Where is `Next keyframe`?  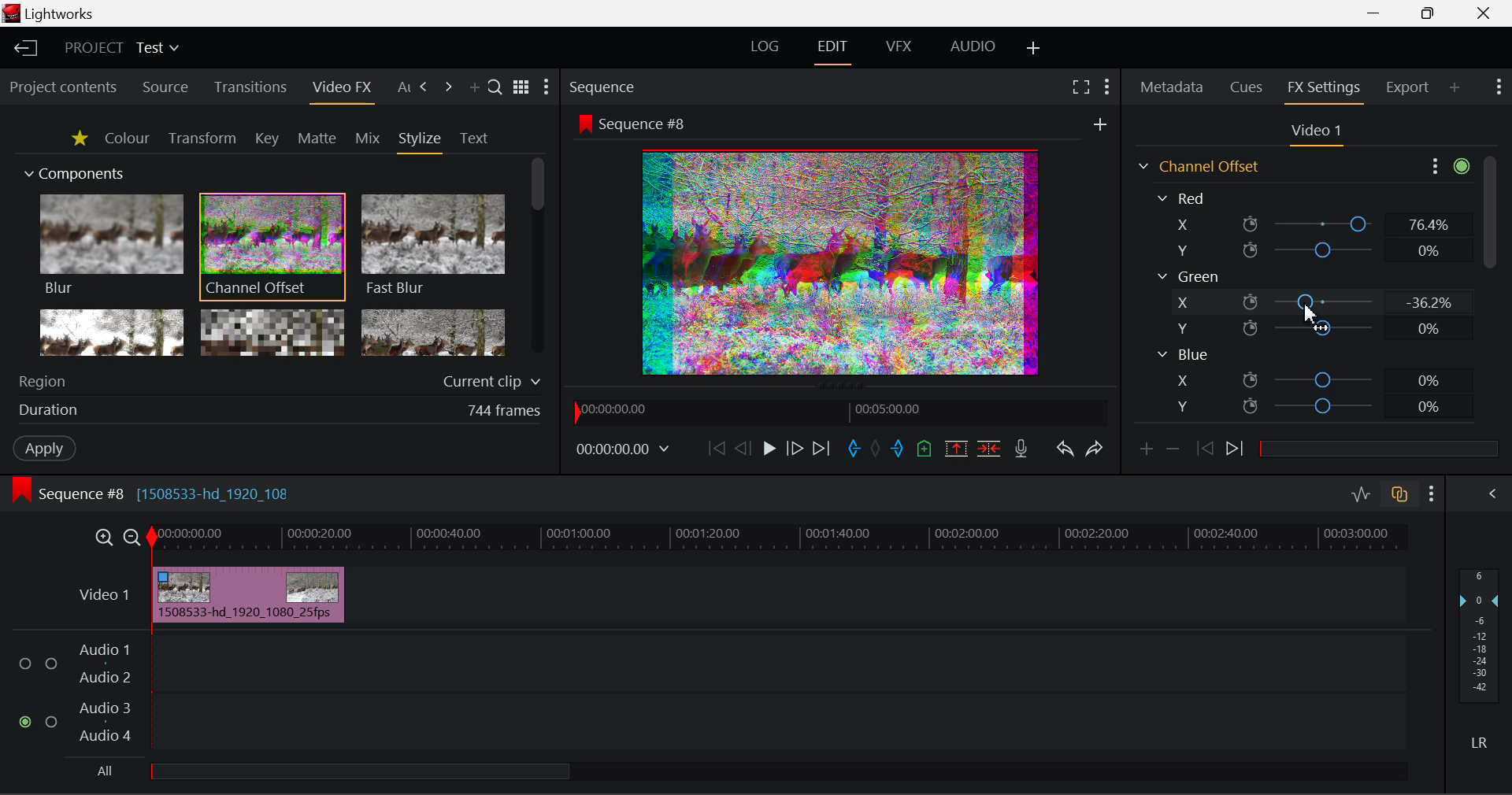 Next keyframe is located at coordinates (1237, 451).